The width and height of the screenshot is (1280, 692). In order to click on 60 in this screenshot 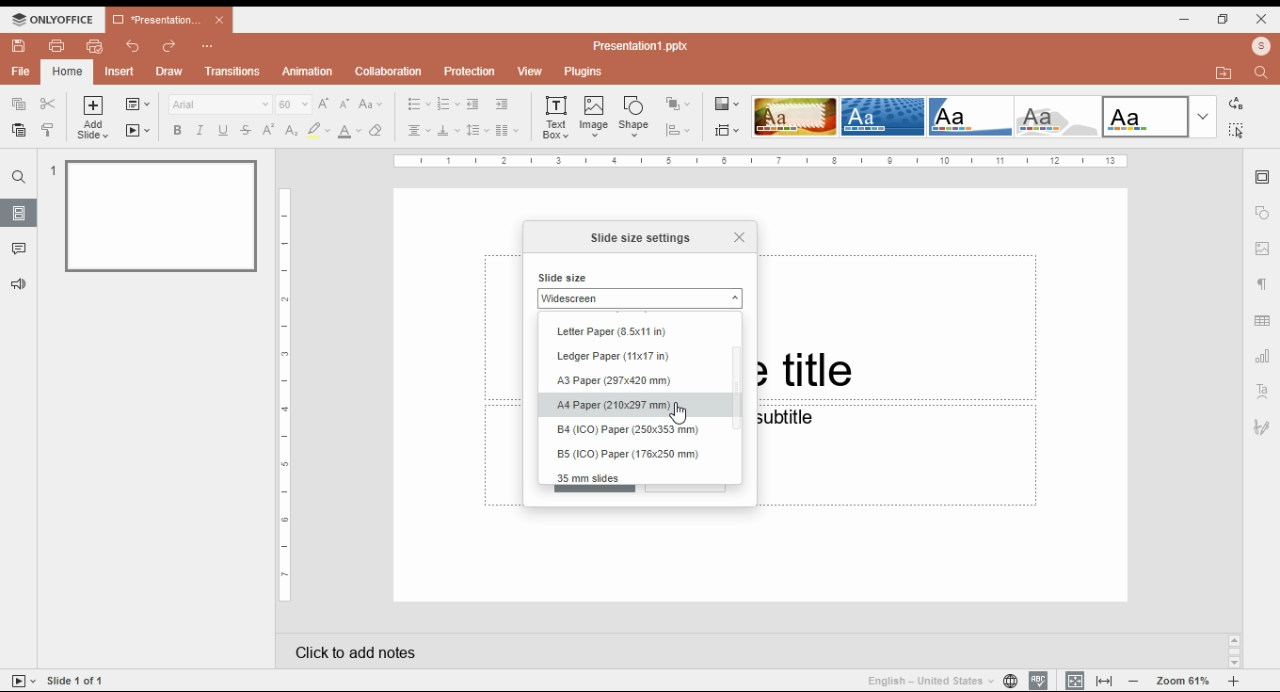, I will do `click(294, 104)`.